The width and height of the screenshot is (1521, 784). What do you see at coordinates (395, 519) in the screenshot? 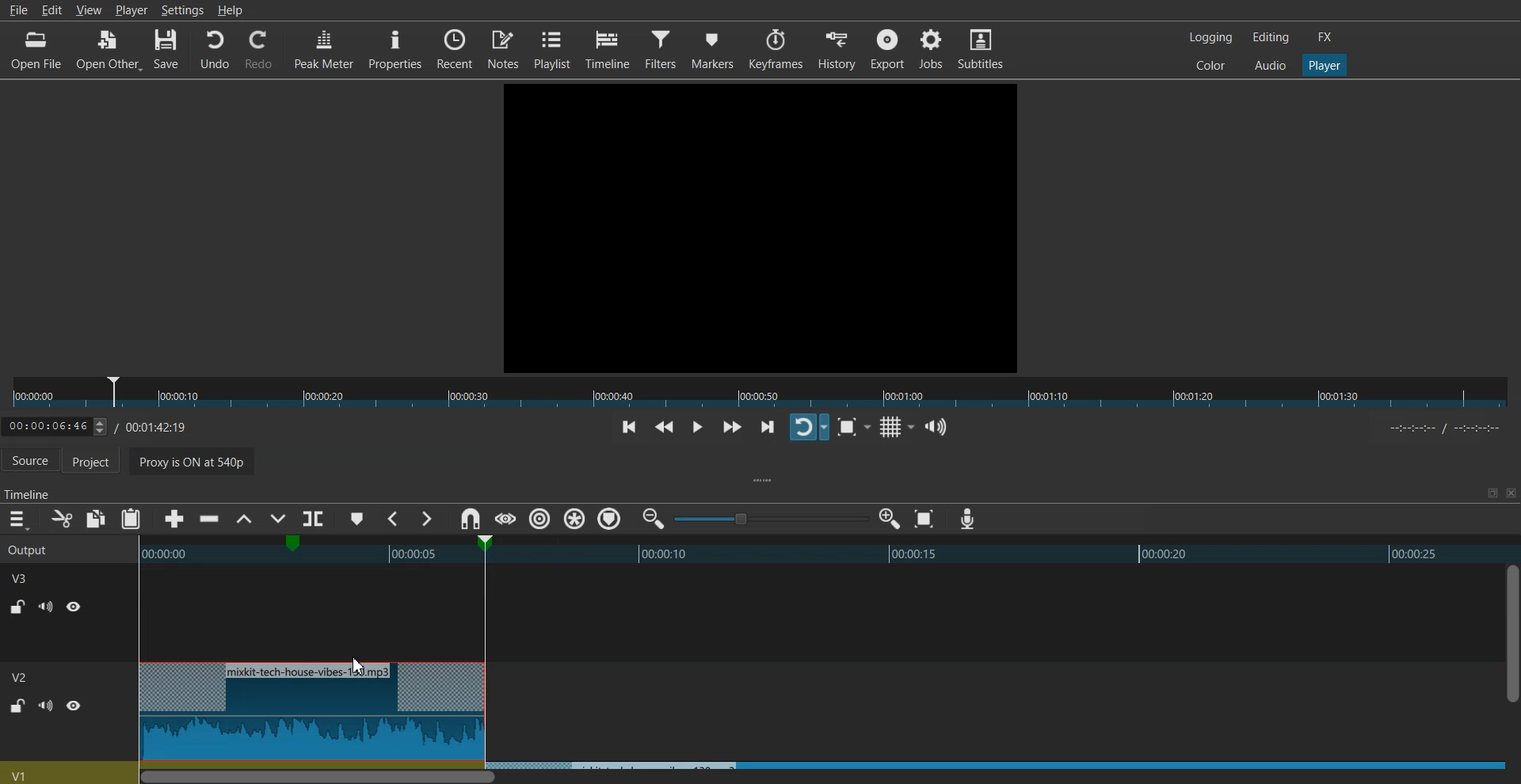
I see `Previous Marker` at bounding box center [395, 519].